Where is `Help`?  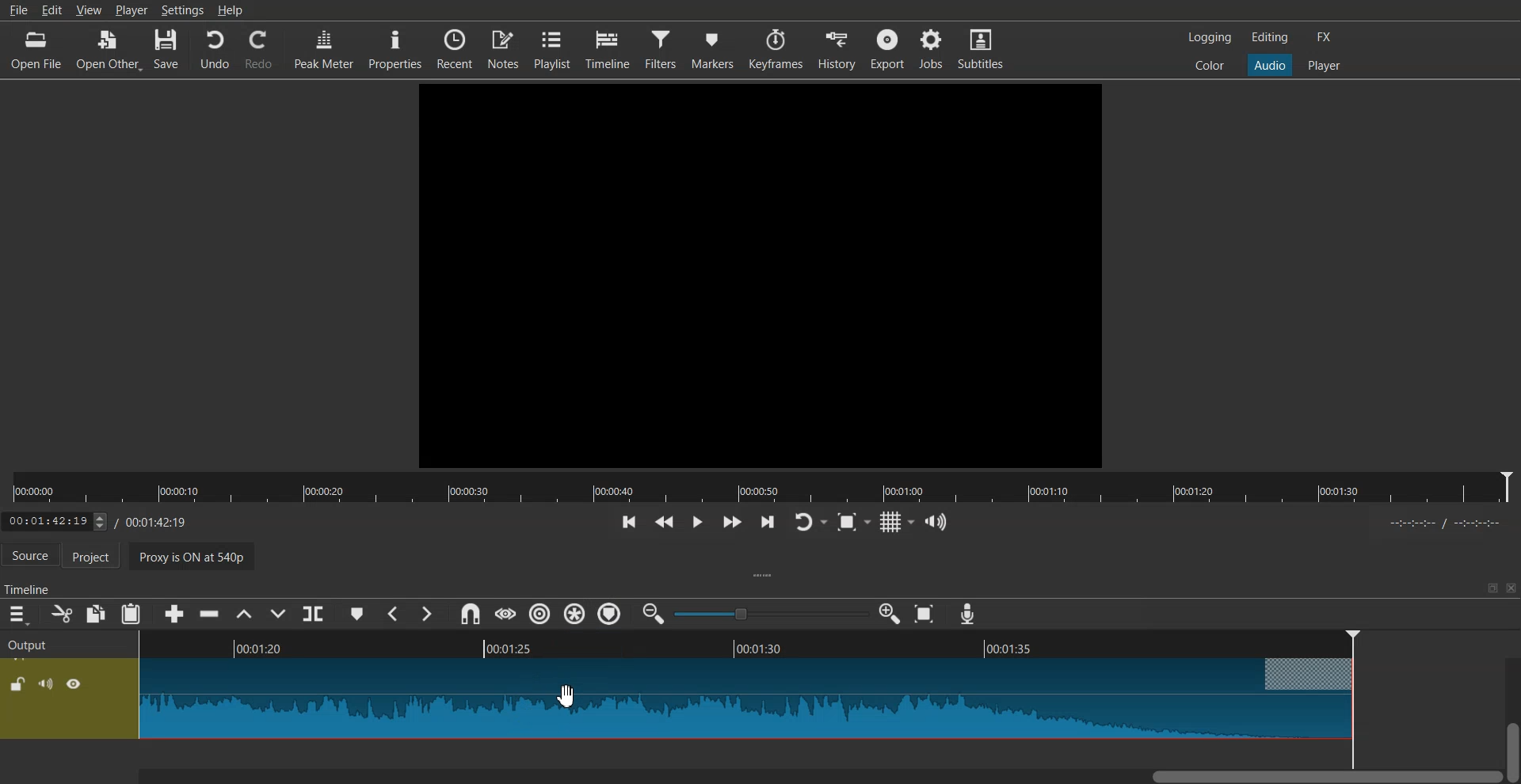 Help is located at coordinates (231, 10).